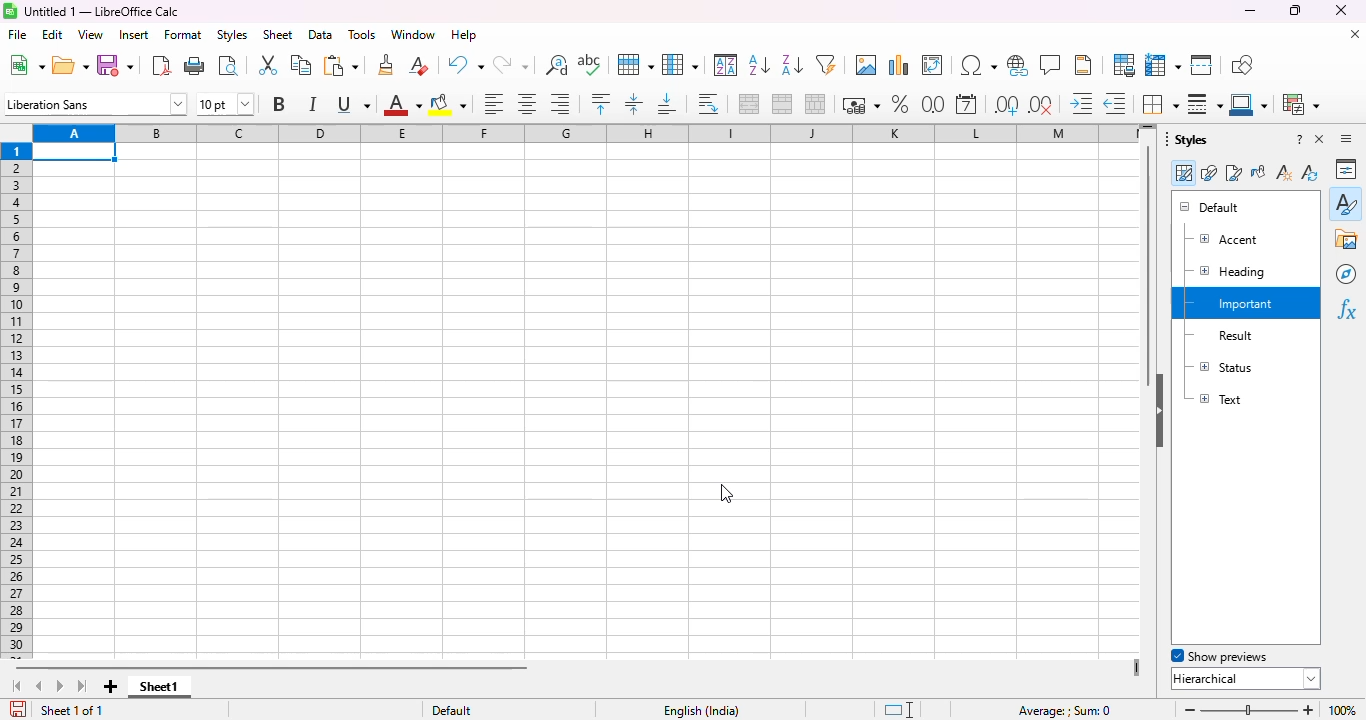 The height and width of the screenshot is (720, 1366). Describe the element at coordinates (867, 65) in the screenshot. I see `insert image` at that location.